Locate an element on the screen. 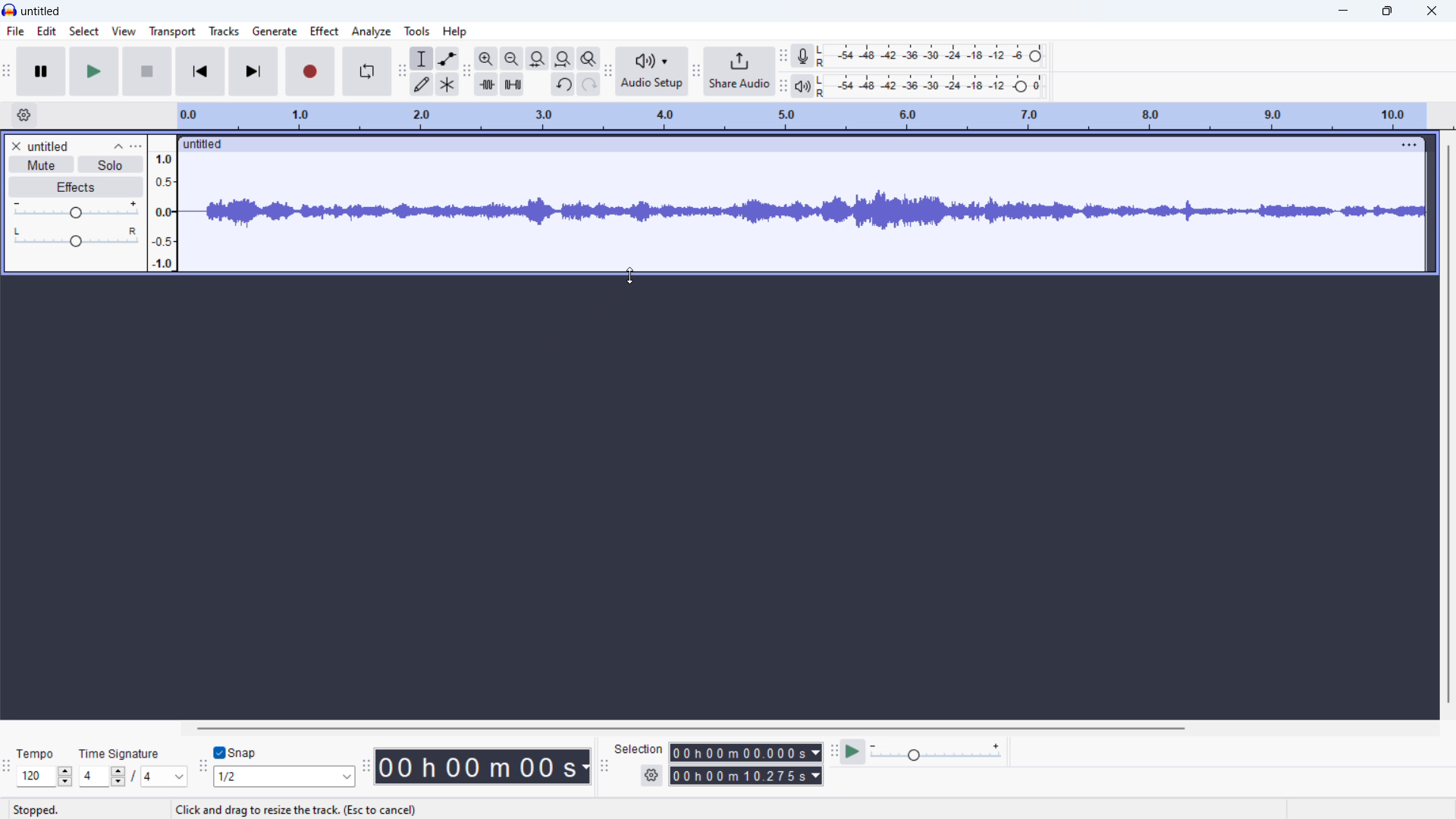  playback speed is located at coordinates (938, 752).